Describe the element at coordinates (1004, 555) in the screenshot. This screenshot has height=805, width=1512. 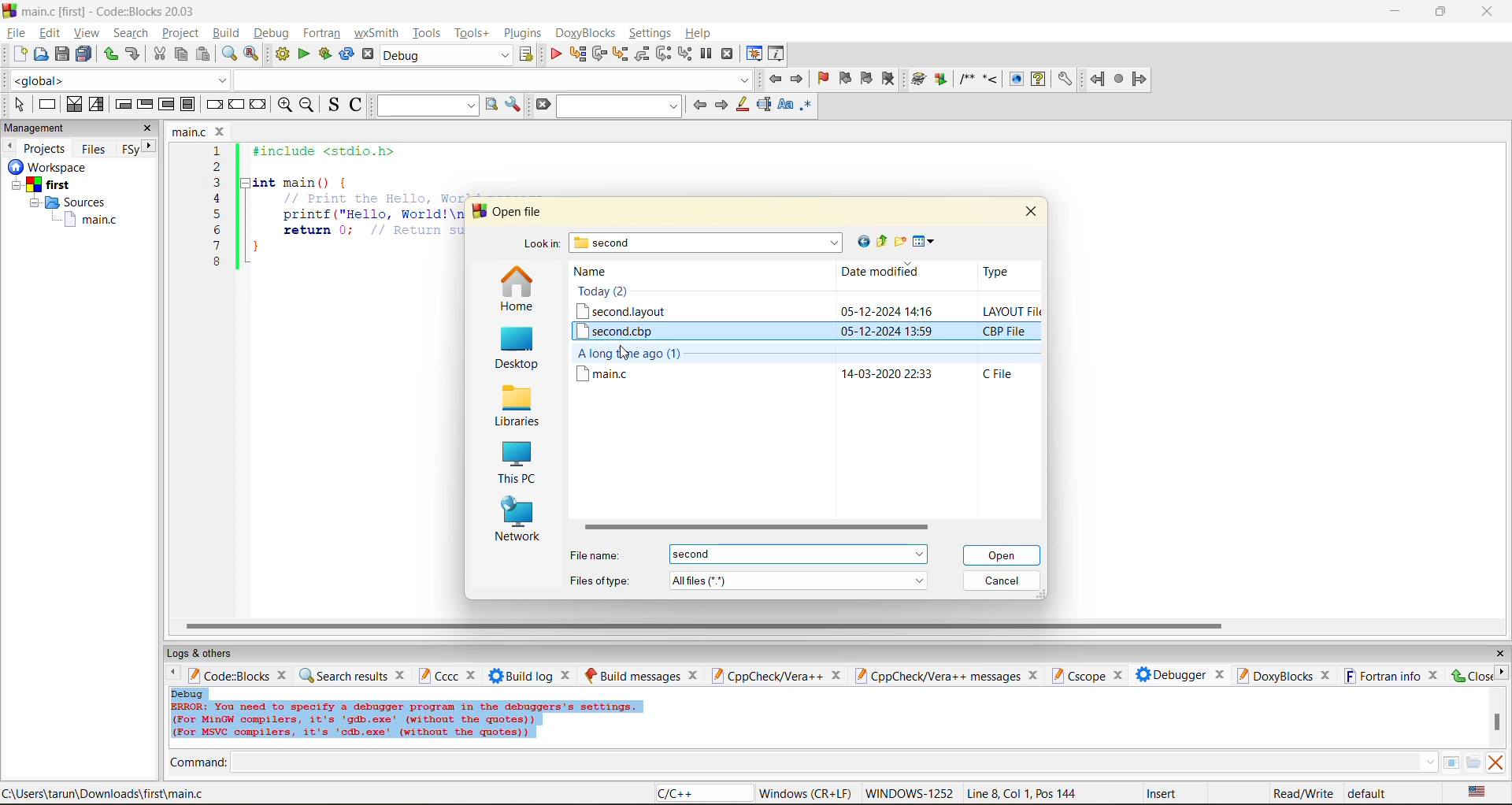
I see `open` at that location.